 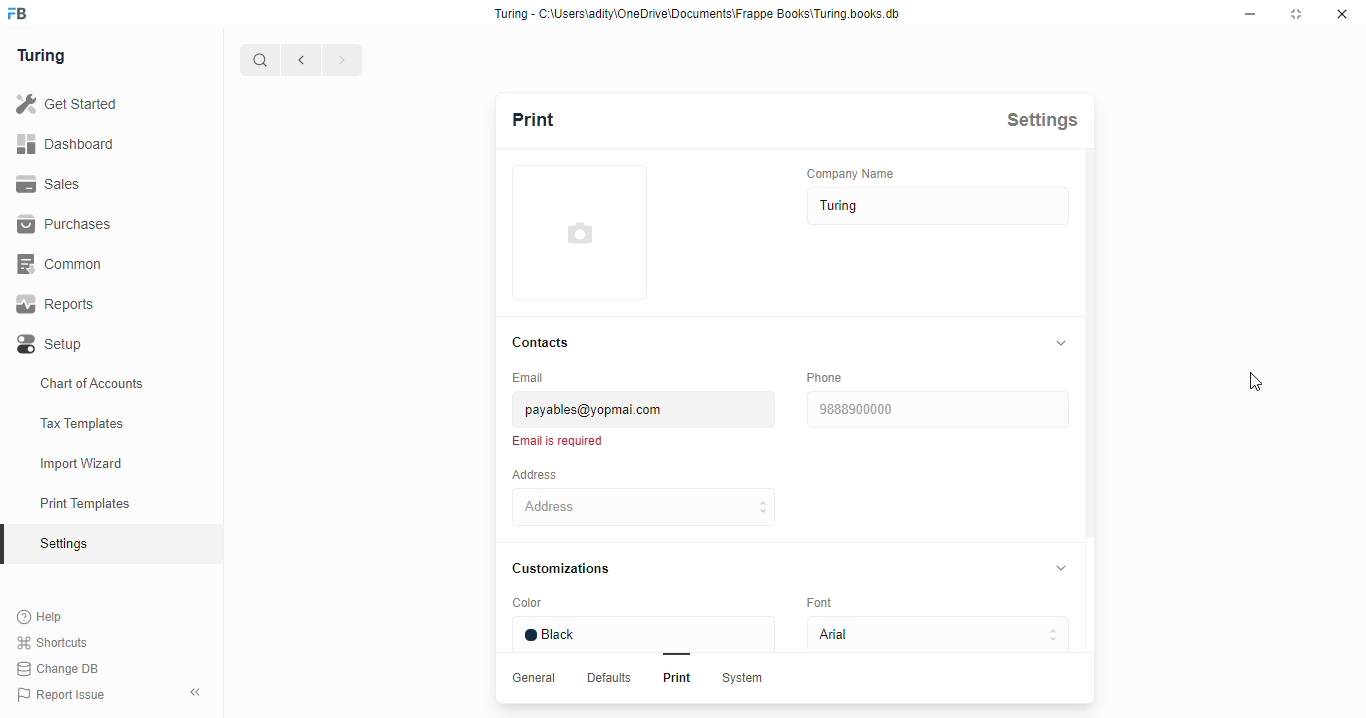 I want to click on System, so click(x=745, y=680).